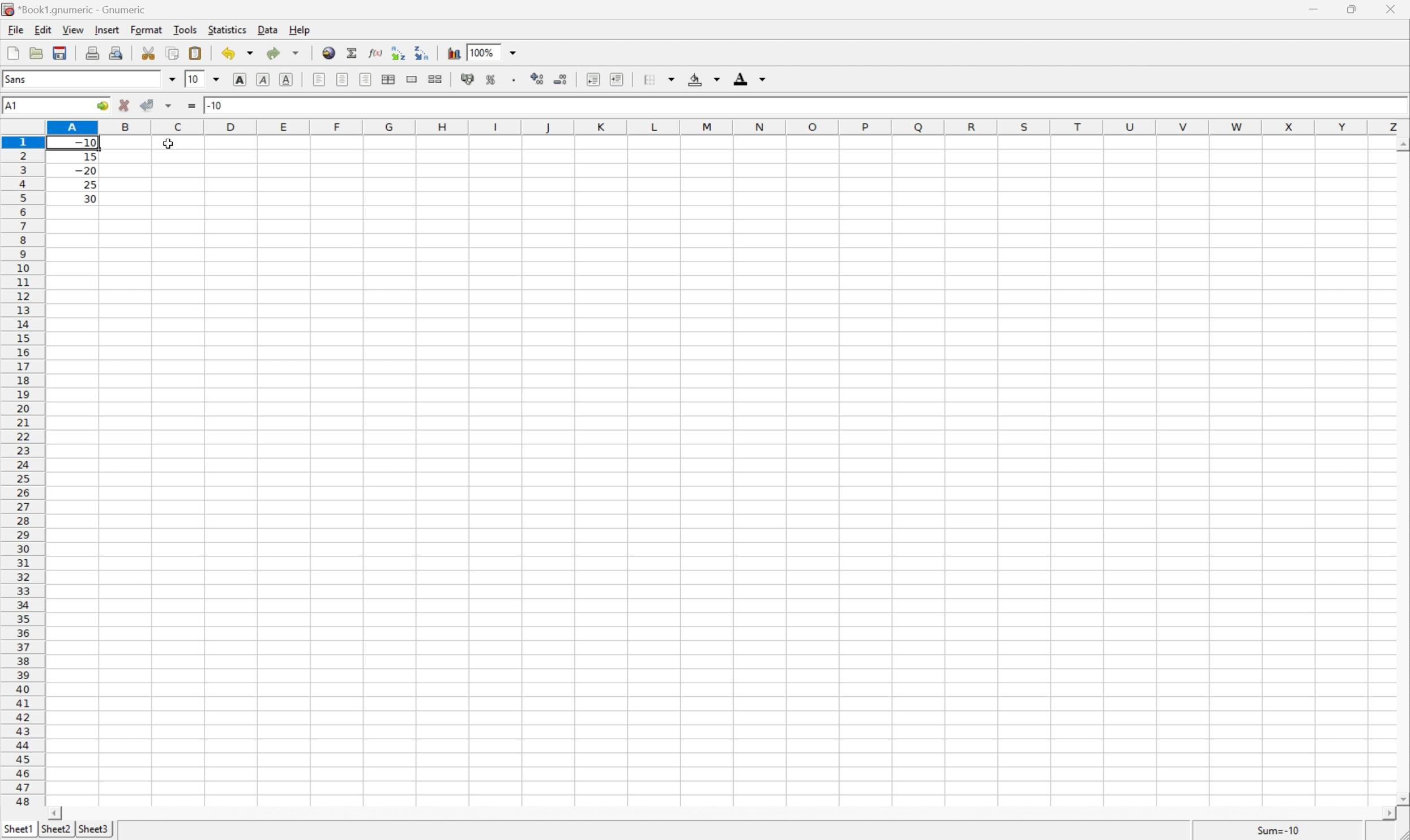 The height and width of the screenshot is (840, 1410). Describe the element at coordinates (57, 812) in the screenshot. I see `Scroll left` at that location.